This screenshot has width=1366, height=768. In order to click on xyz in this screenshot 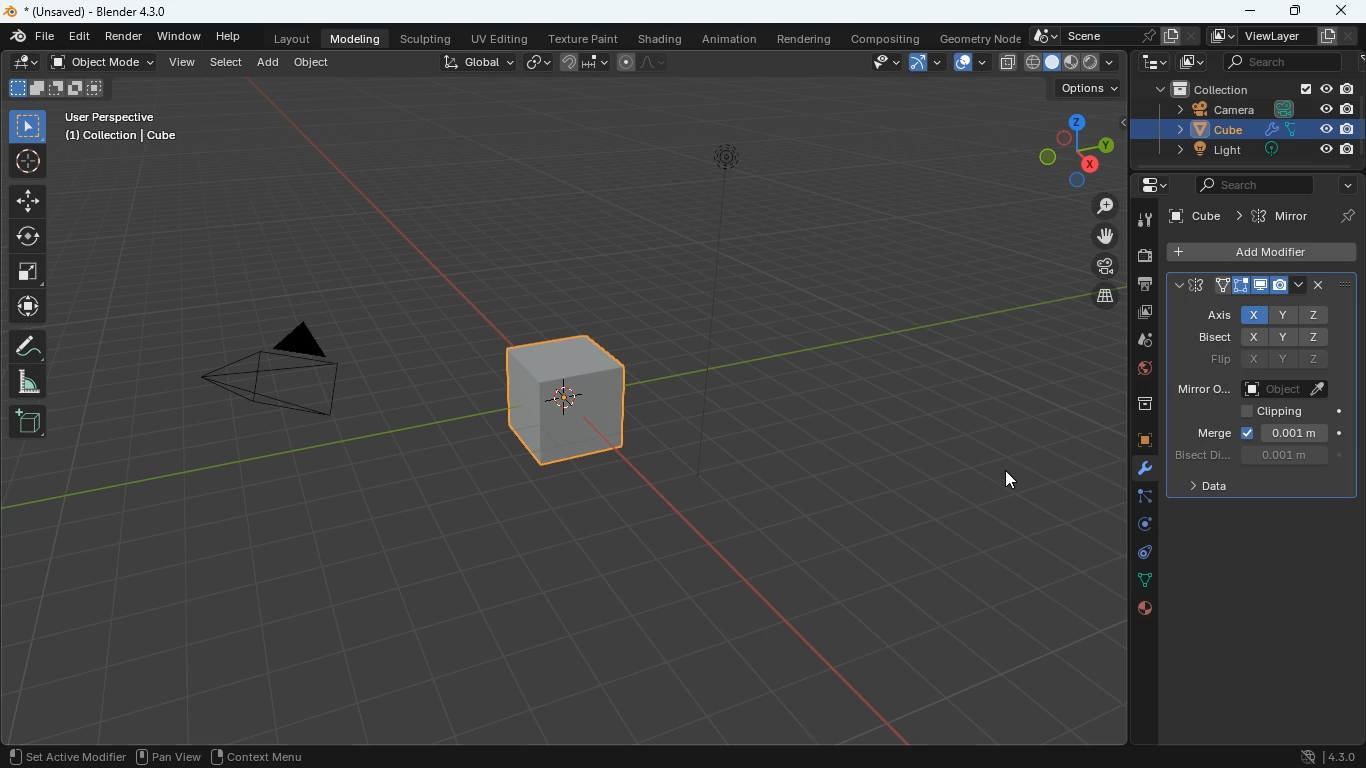, I will do `click(1284, 315)`.